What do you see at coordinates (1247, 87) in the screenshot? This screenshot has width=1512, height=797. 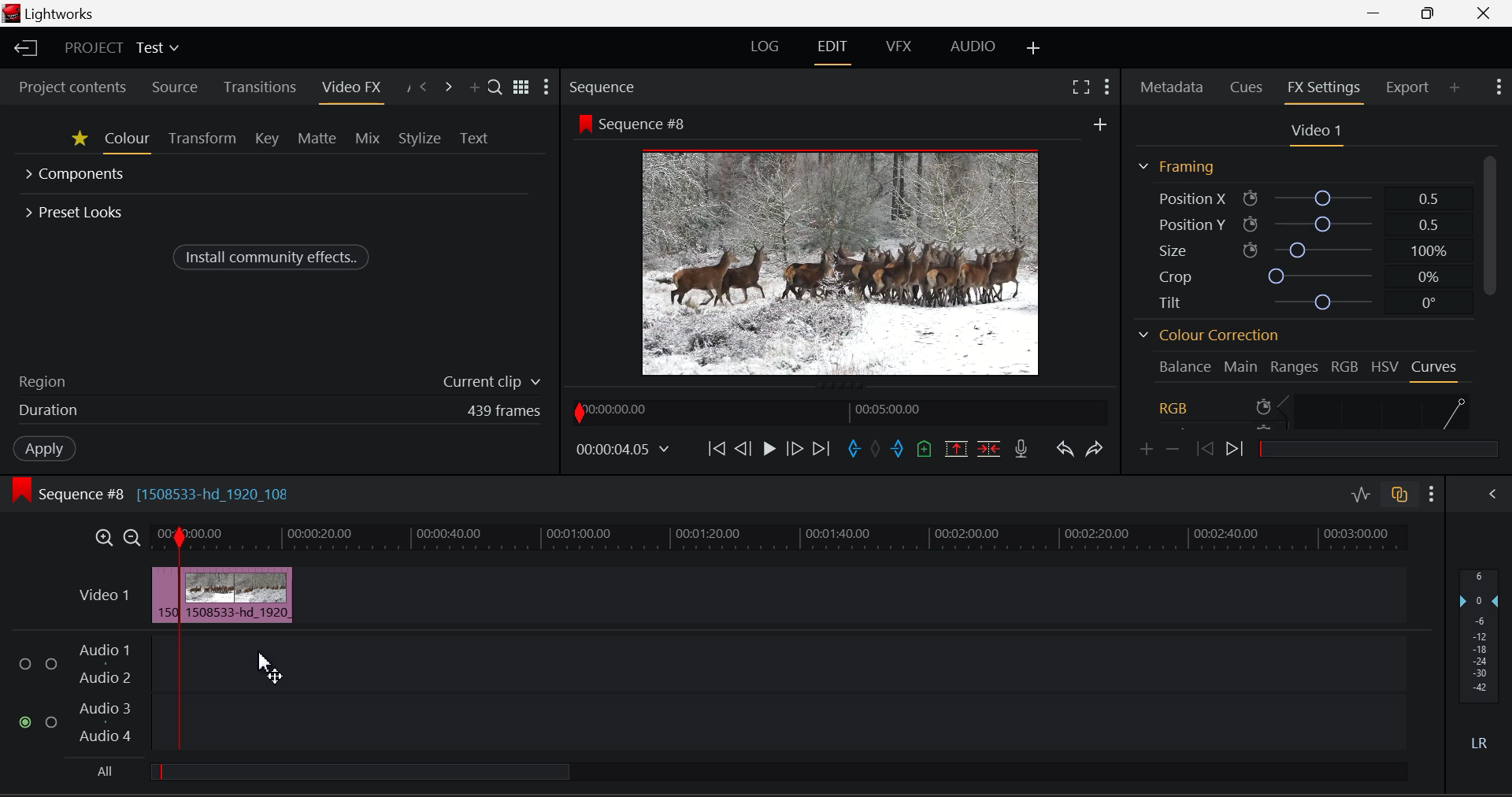 I see `Cues` at bounding box center [1247, 87].